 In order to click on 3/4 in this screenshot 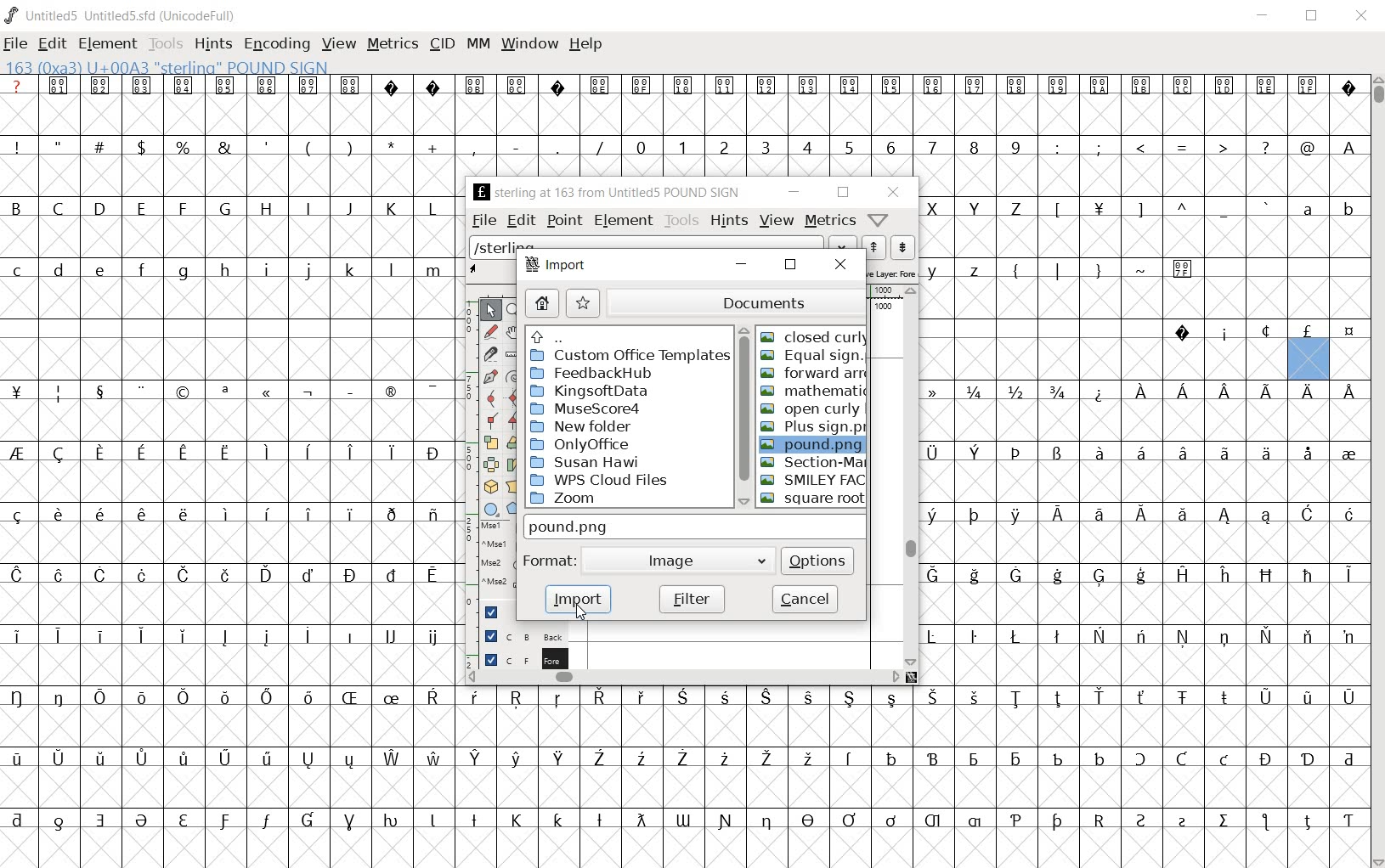, I will do `click(1055, 392)`.